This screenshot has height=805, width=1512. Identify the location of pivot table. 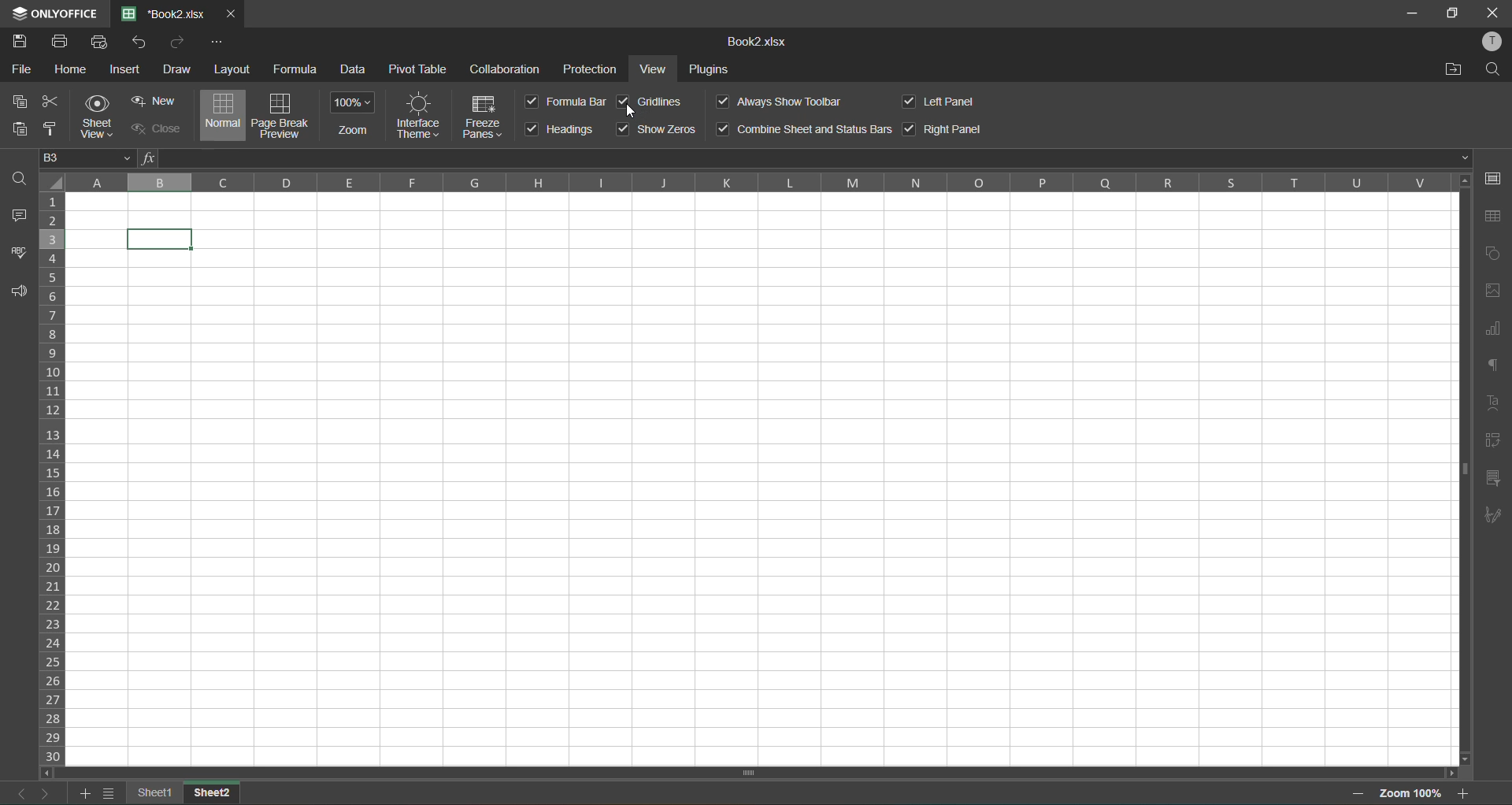
(1490, 444).